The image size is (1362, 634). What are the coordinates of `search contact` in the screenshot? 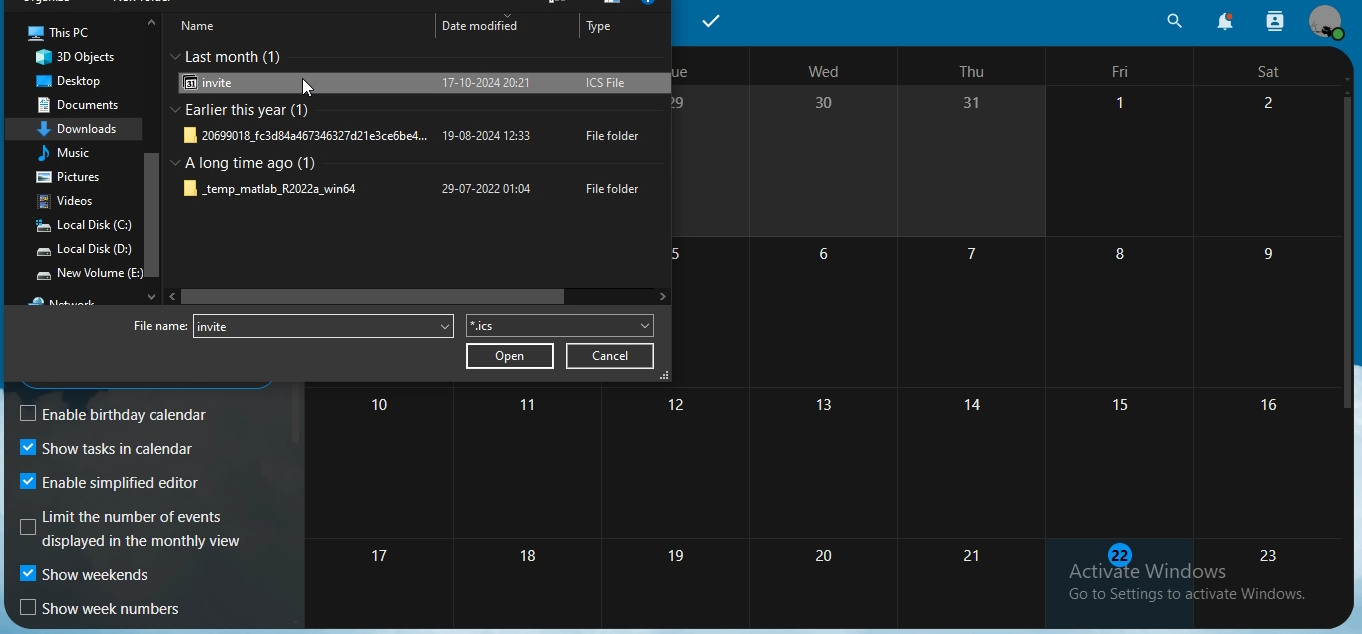 It's located at (1274, 19).